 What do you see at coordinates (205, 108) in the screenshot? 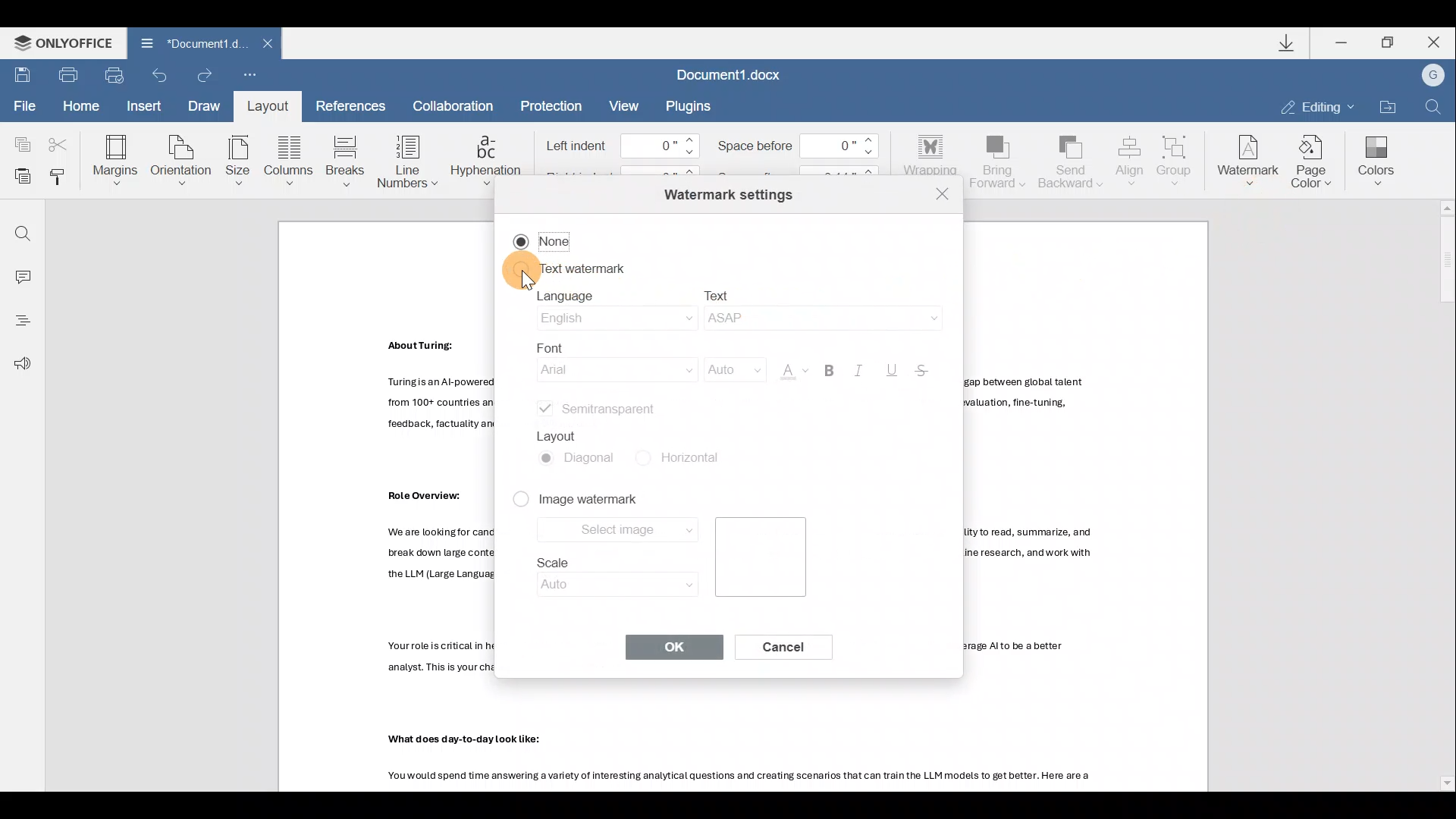
I see `Draw` at bounding box center [205, 108].